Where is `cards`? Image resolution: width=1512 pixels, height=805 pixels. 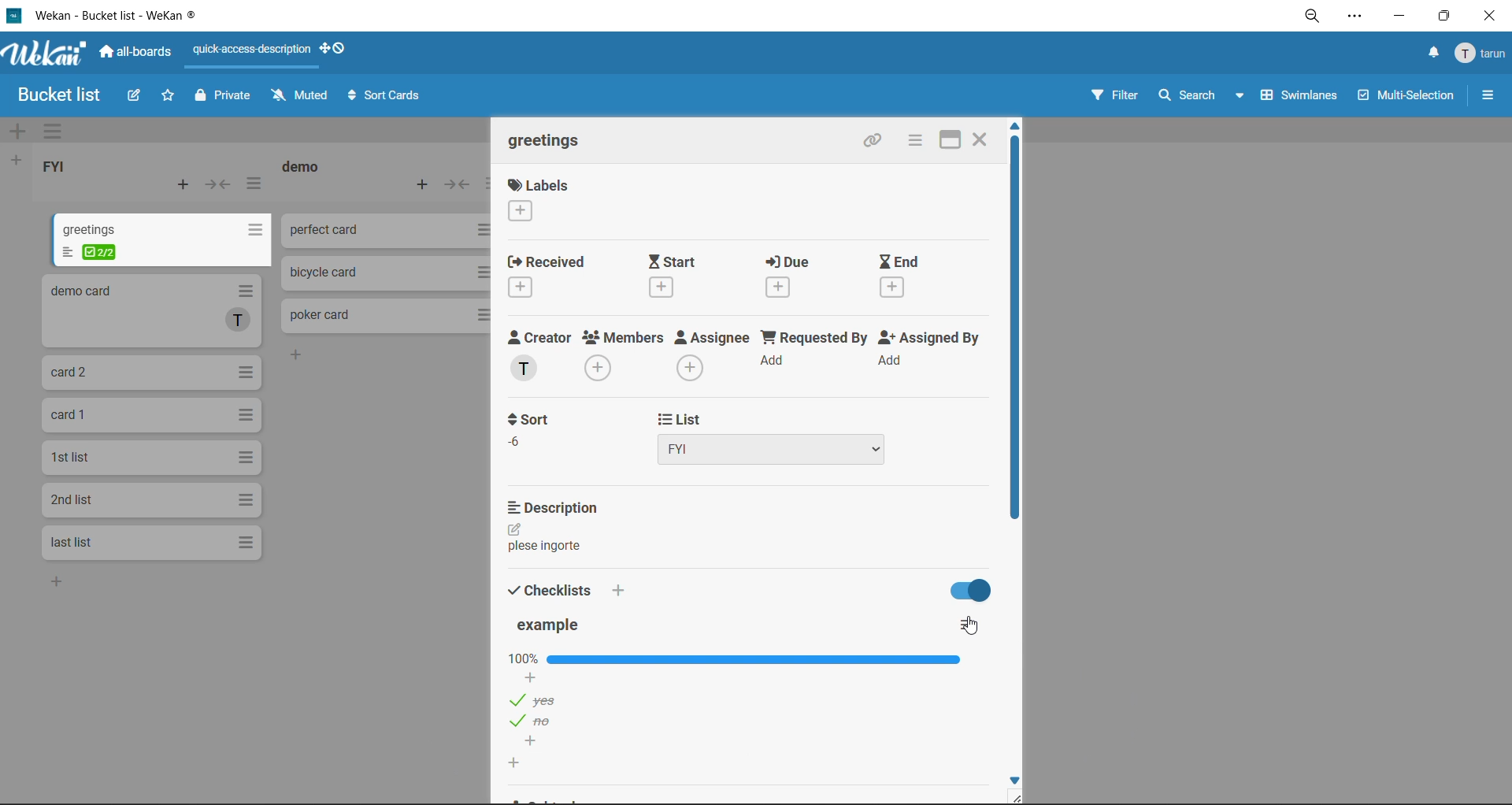 cards is located at coordinates (156, 310).